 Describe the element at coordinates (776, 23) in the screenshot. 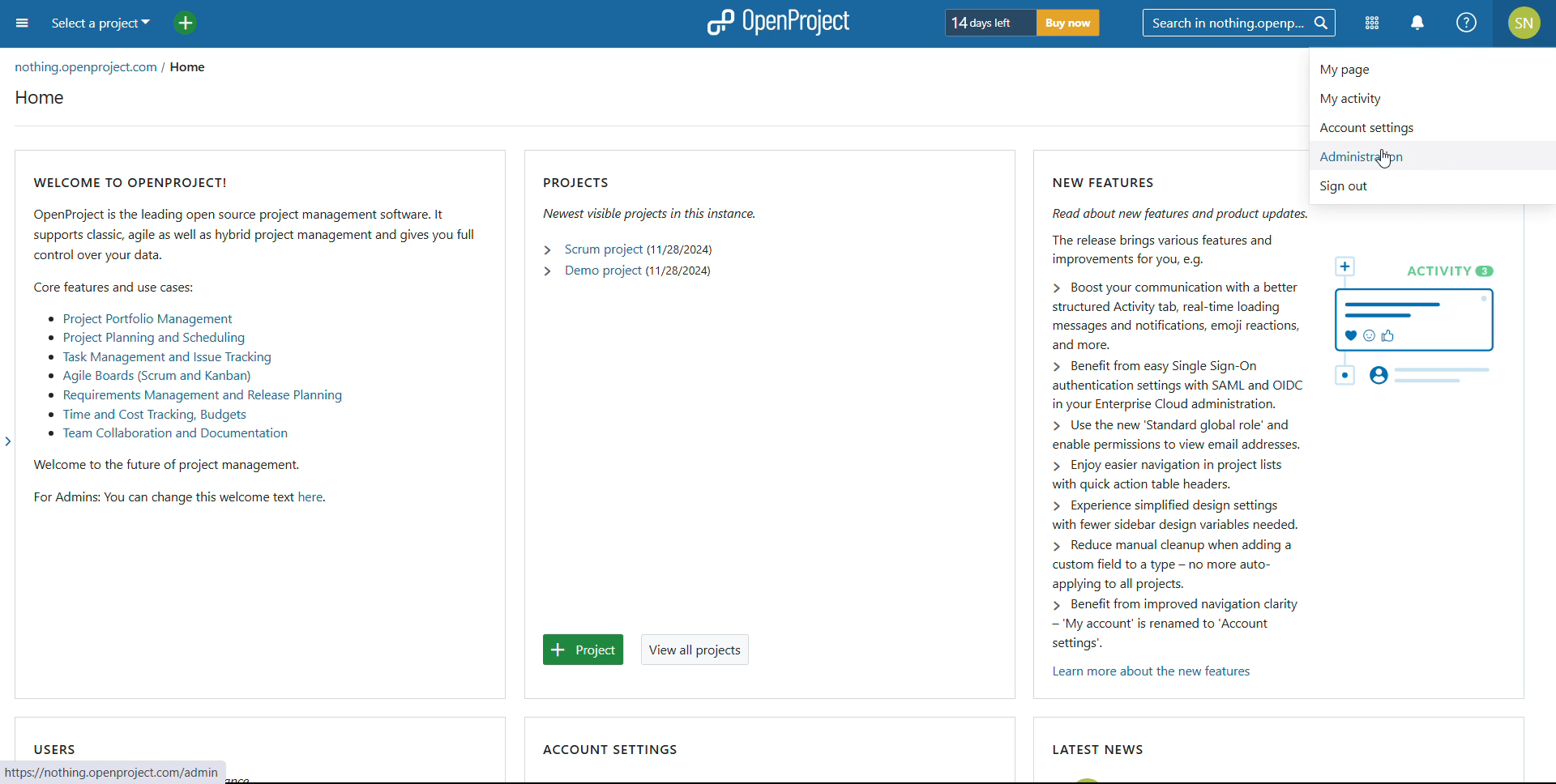

I see `logo` at that location.